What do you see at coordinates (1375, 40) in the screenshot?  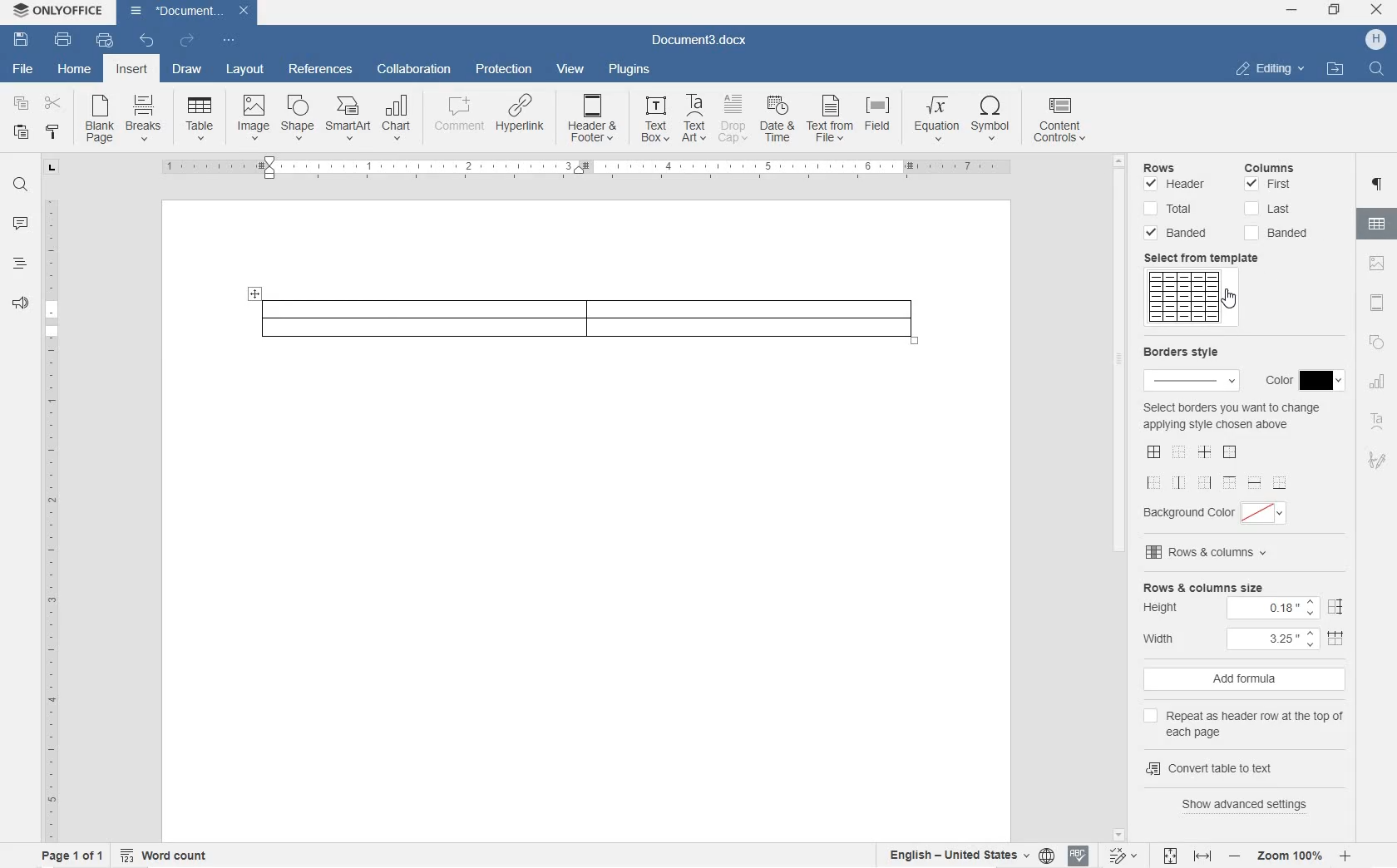 I see `HP` at bounding box center [1375, 40].